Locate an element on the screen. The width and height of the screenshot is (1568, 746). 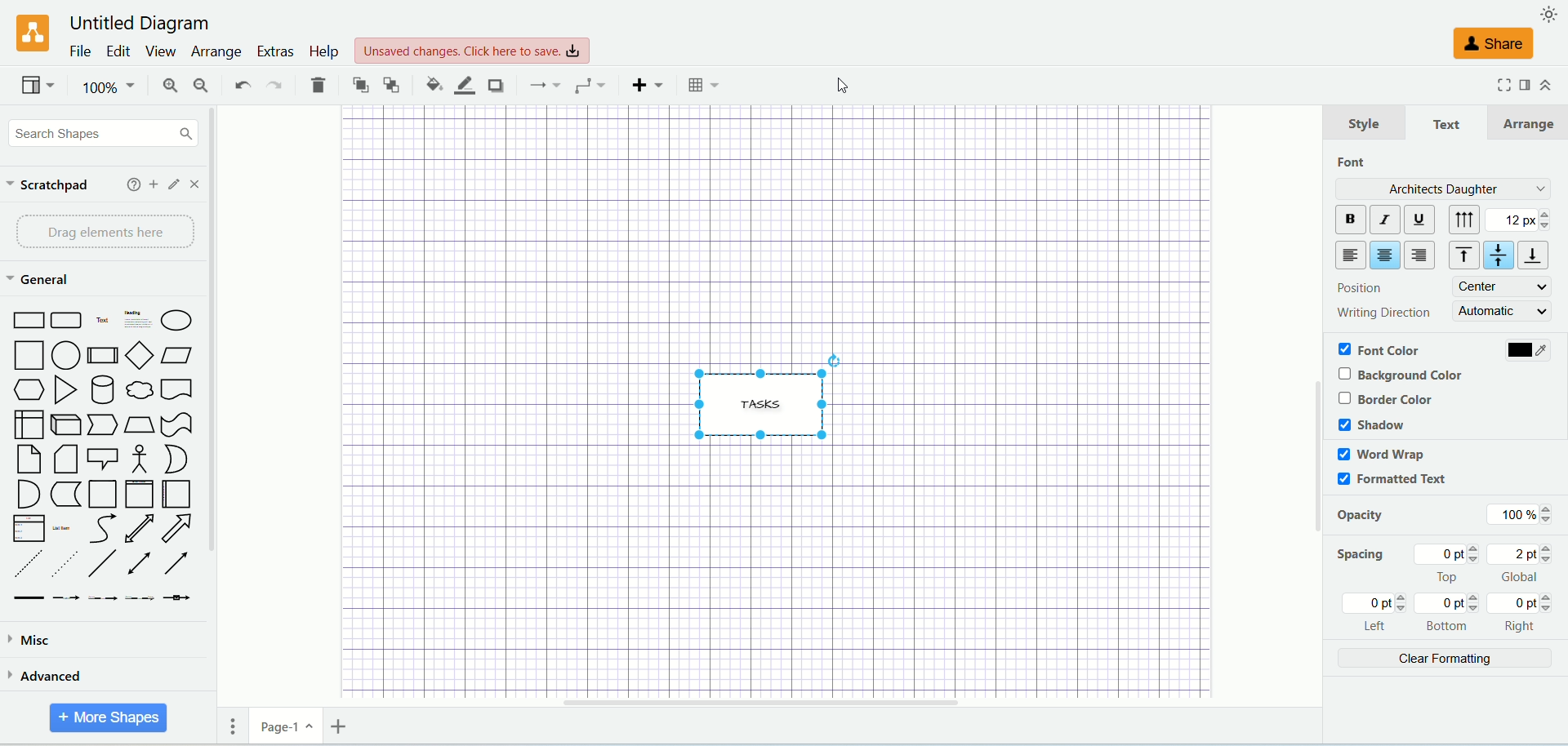
100% is located at coordinates (106, 87).